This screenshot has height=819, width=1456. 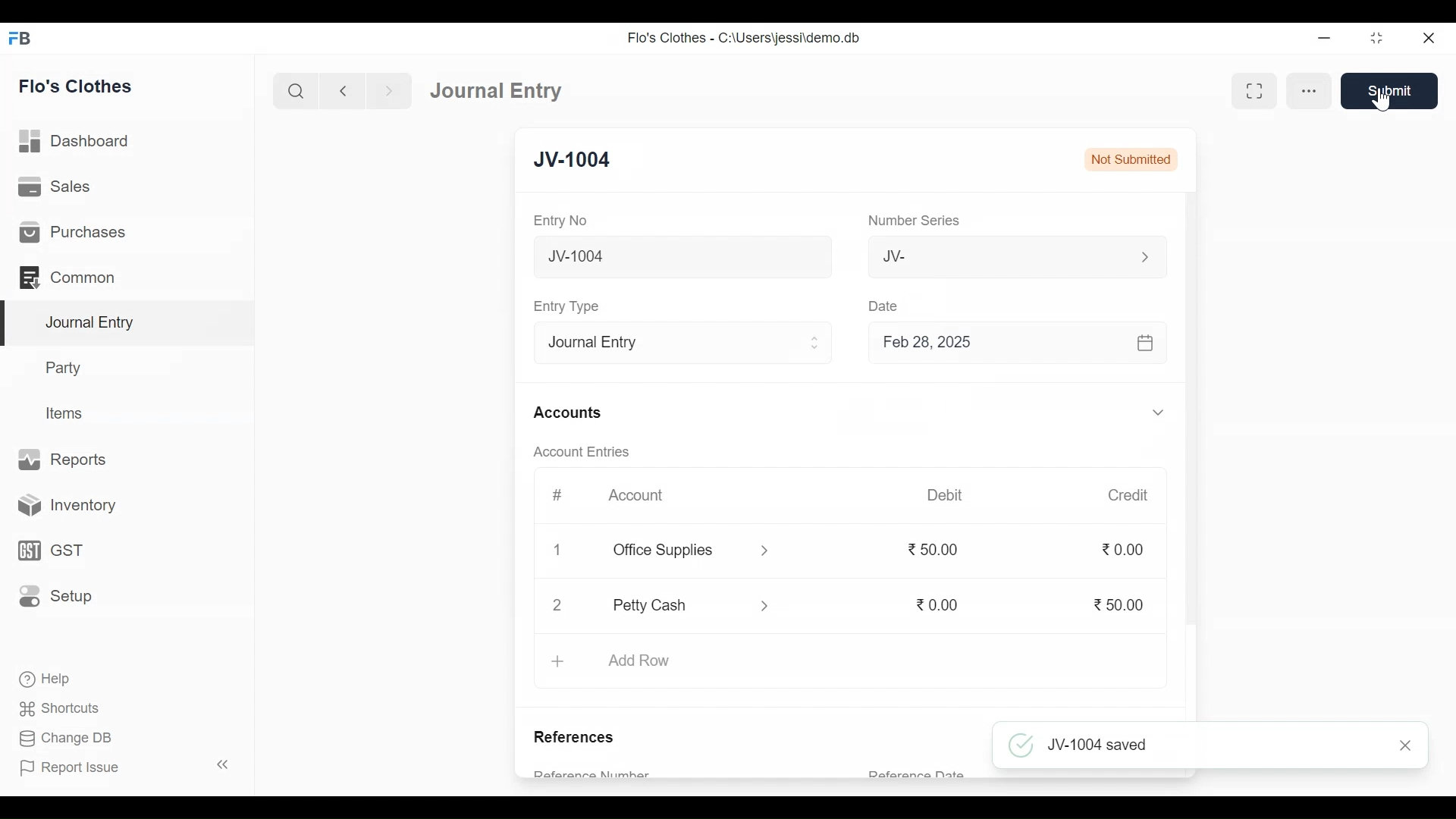 What do you see at coordinates (1376, 38) in the screenshot?
I see `Restore` at bounding box center [1376, 38].